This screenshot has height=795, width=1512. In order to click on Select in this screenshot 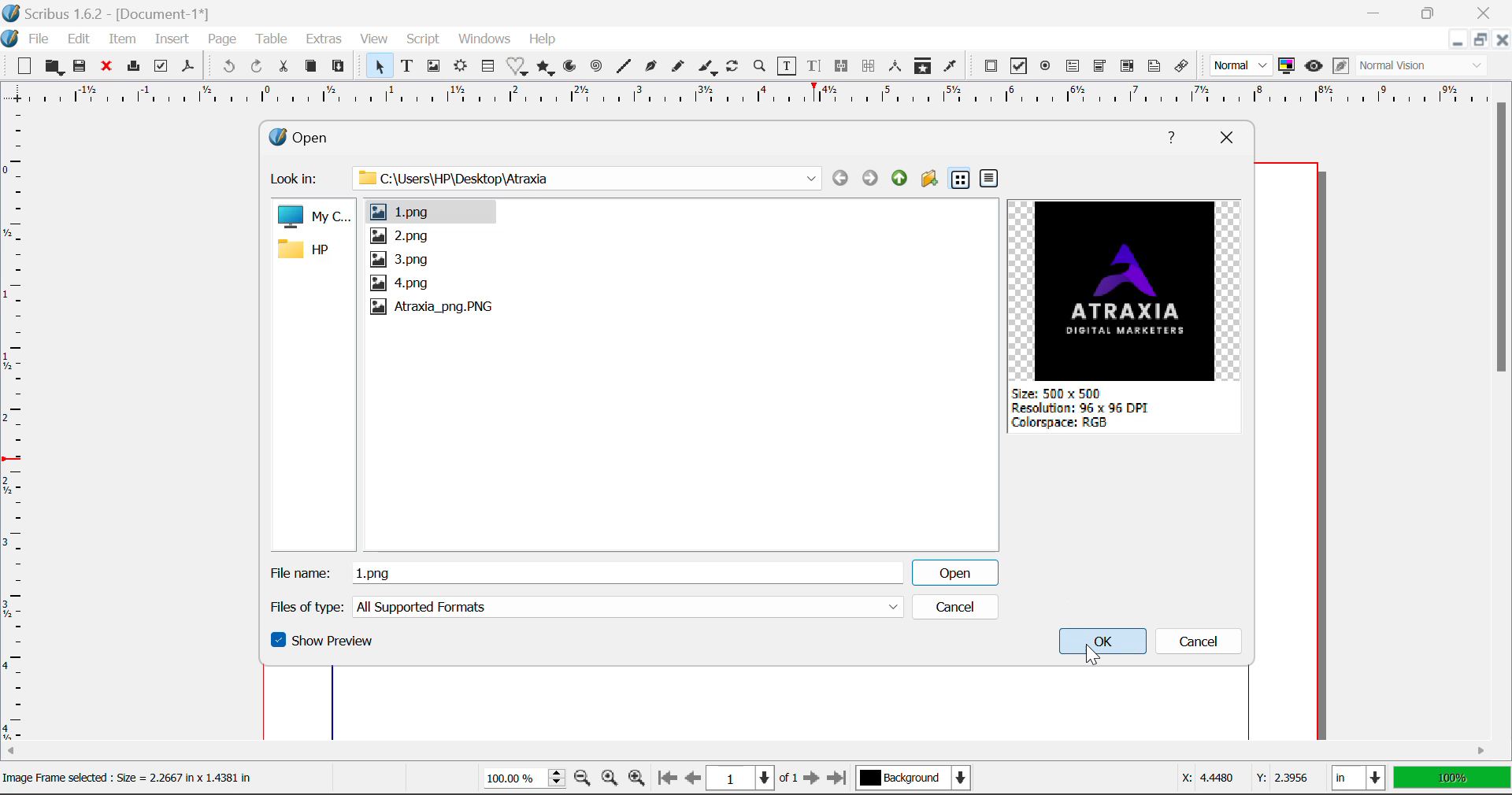, I will do `click(379, 66)`.